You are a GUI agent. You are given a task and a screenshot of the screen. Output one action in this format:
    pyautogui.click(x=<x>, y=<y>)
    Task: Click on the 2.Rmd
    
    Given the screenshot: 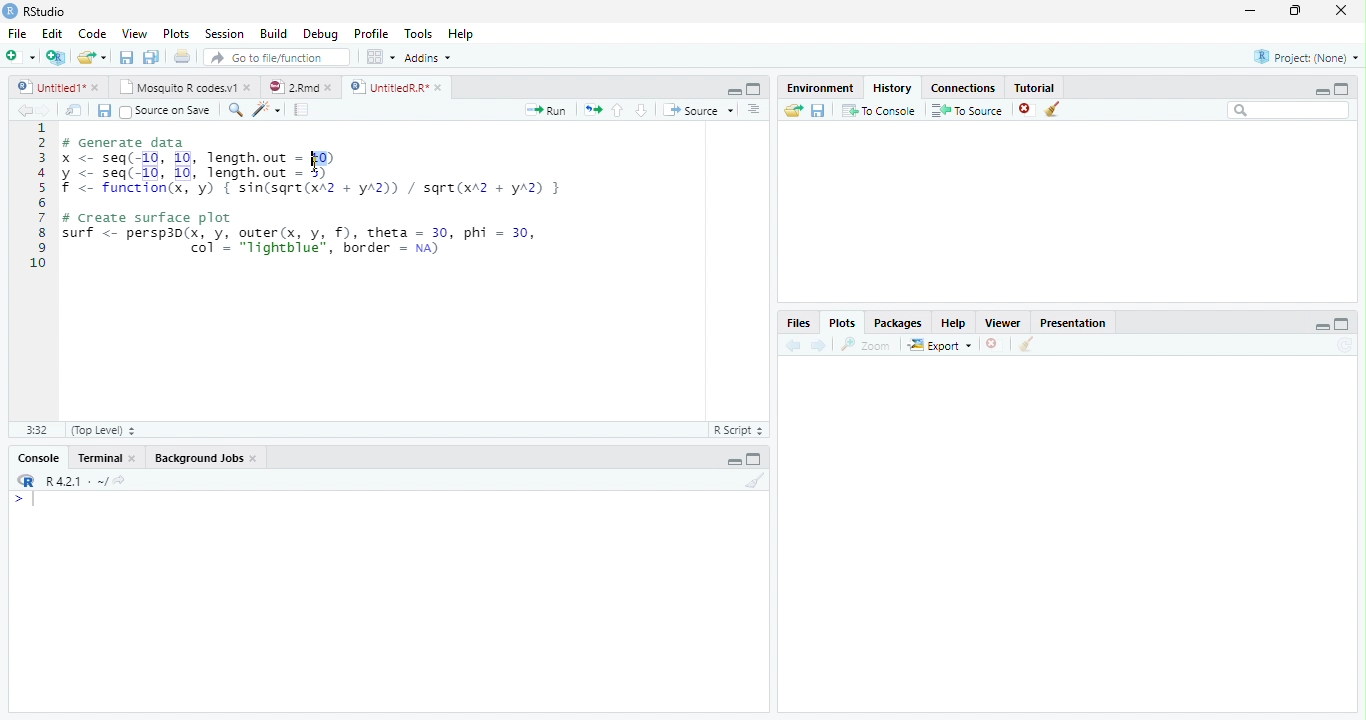 What is the action you would take?
    pyautogui.click(x=292, y=86)
    